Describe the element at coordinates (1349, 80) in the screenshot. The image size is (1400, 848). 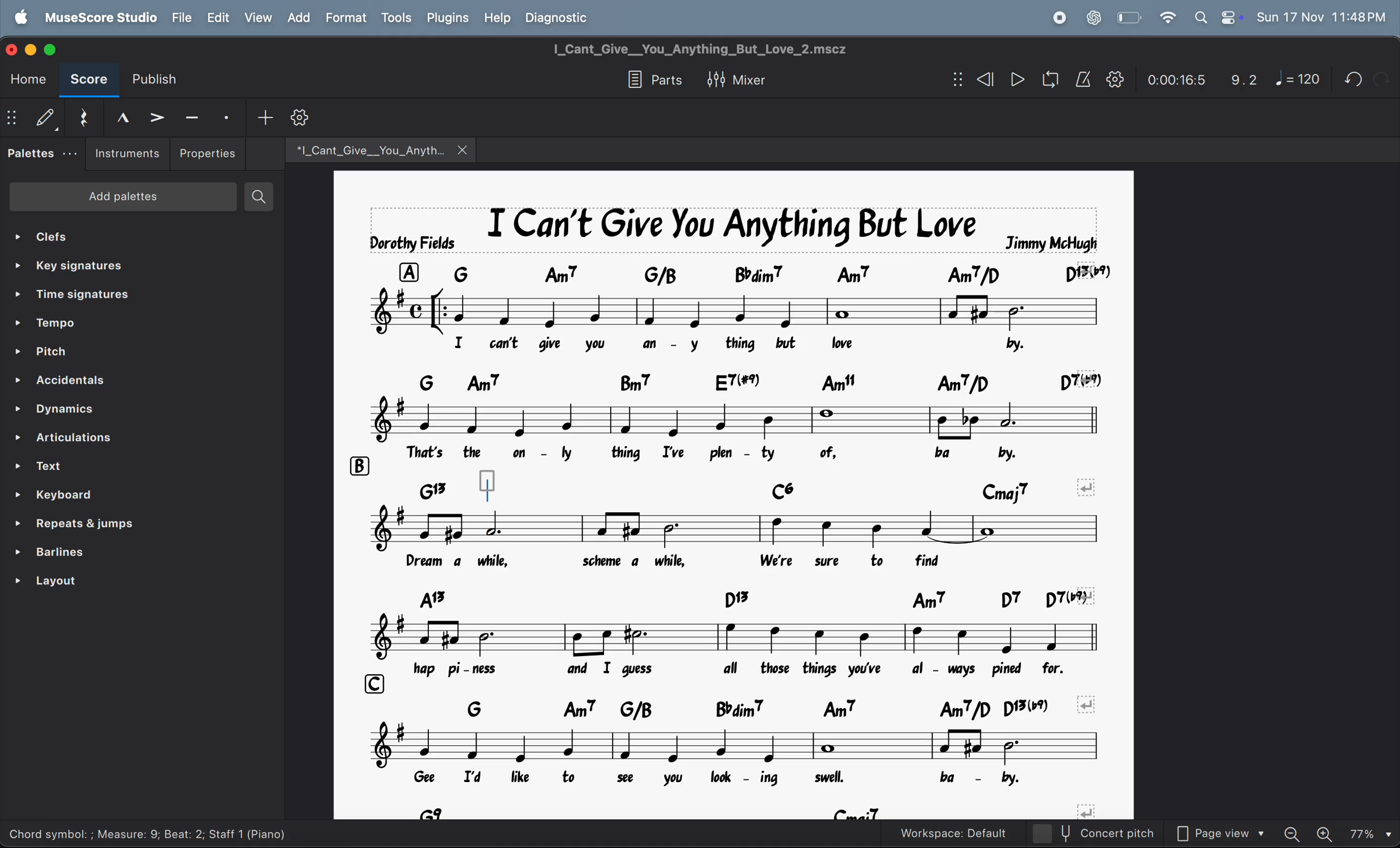
I see `undo` at that location.